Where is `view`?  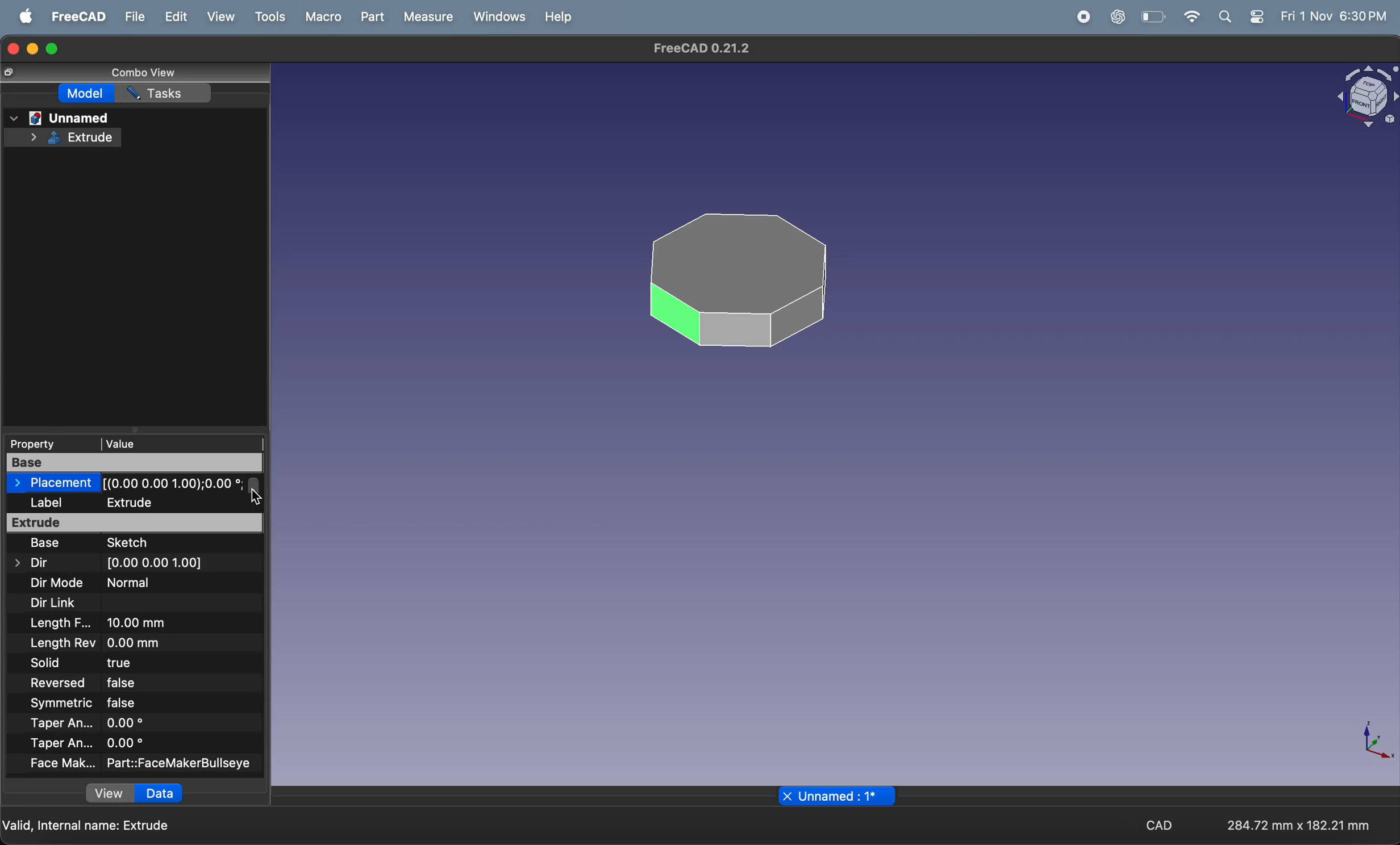
view is located at coordinates (103, 794).